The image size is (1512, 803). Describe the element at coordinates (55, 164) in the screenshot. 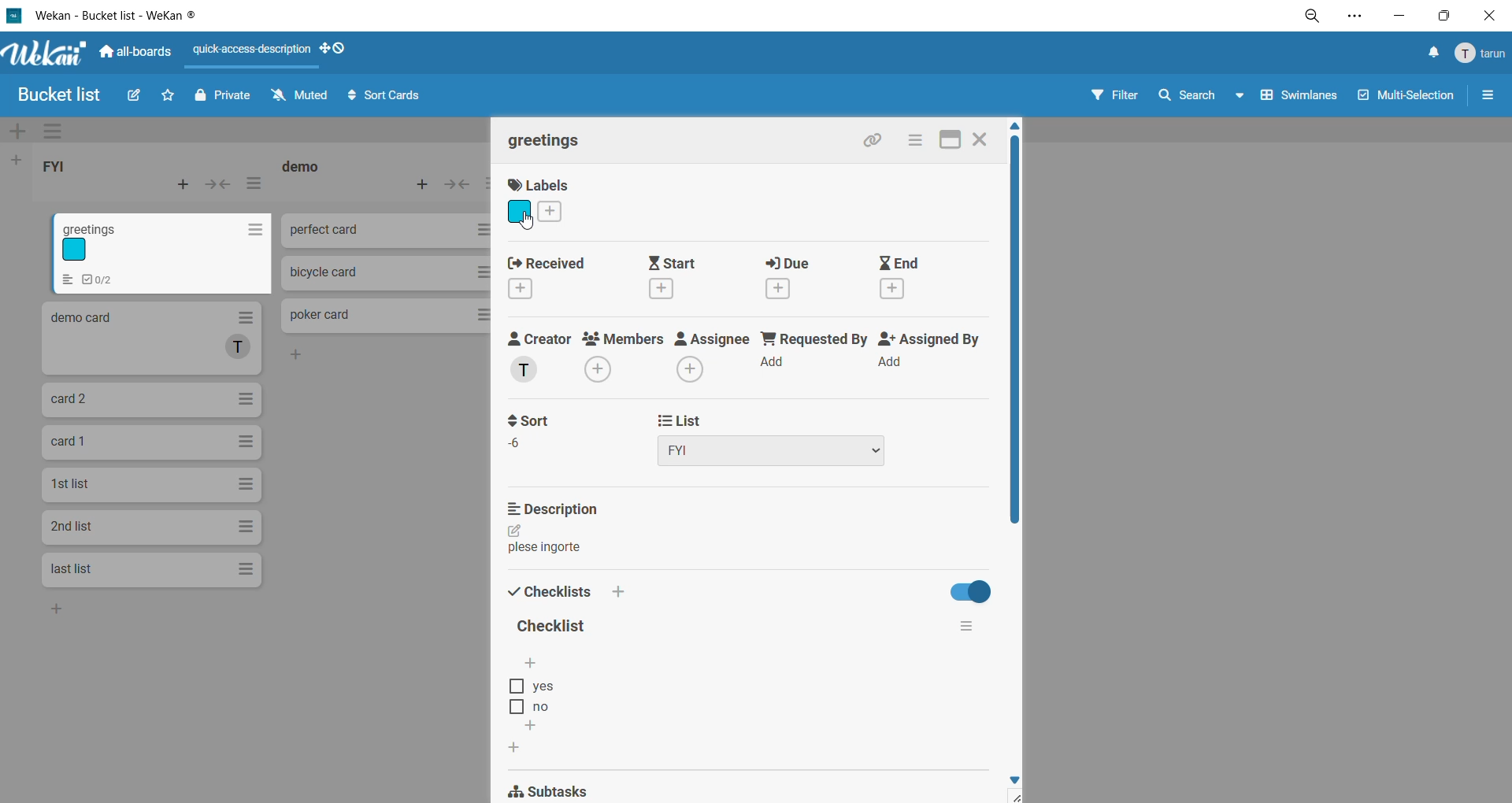

I see `FYI` at that location.